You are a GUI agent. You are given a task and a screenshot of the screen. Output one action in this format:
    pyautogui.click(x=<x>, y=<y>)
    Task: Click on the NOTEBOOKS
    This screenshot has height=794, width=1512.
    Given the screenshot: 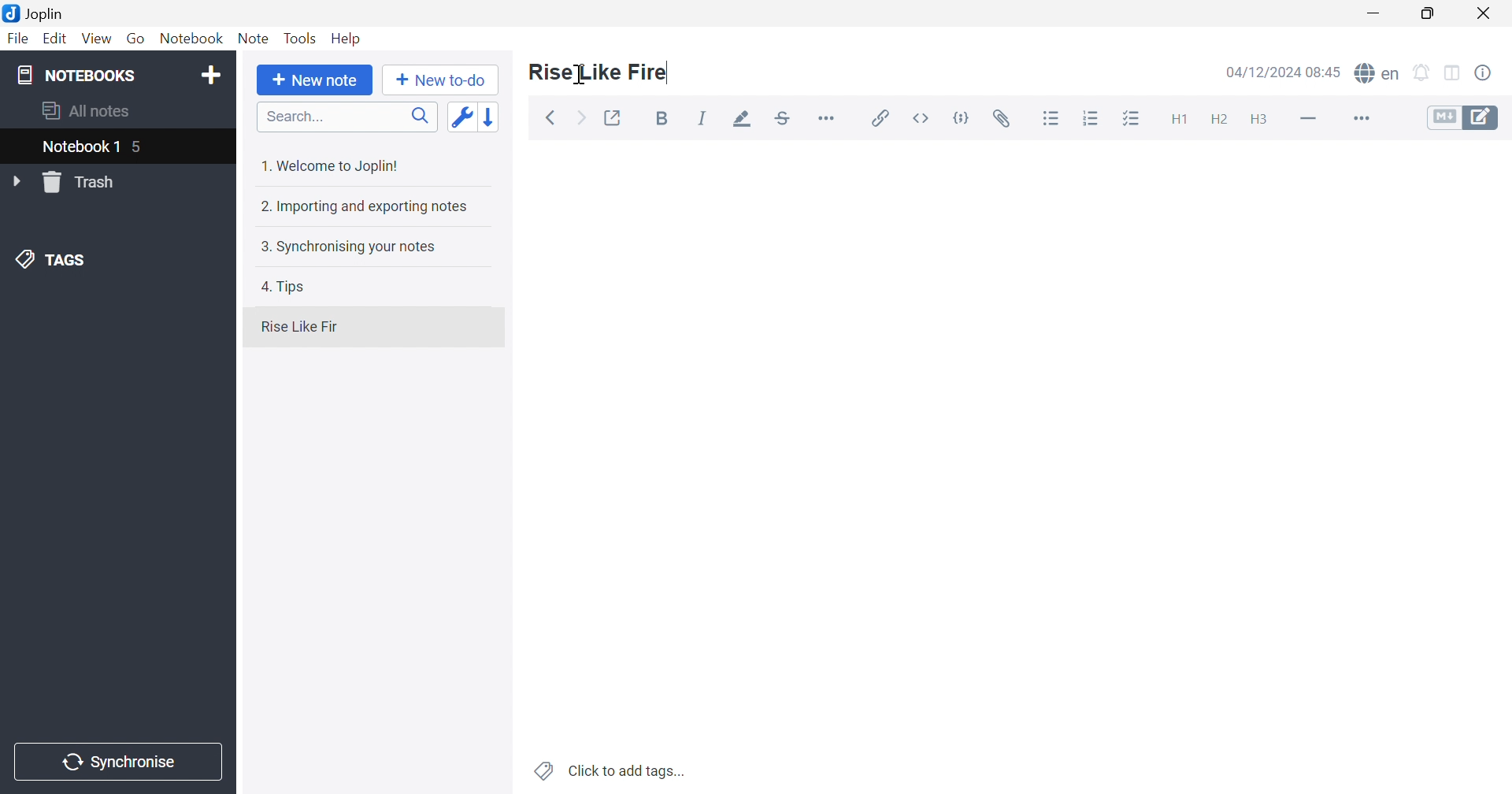 What is the action you would take?
    pyautogui.click(x=74, y=76)
    